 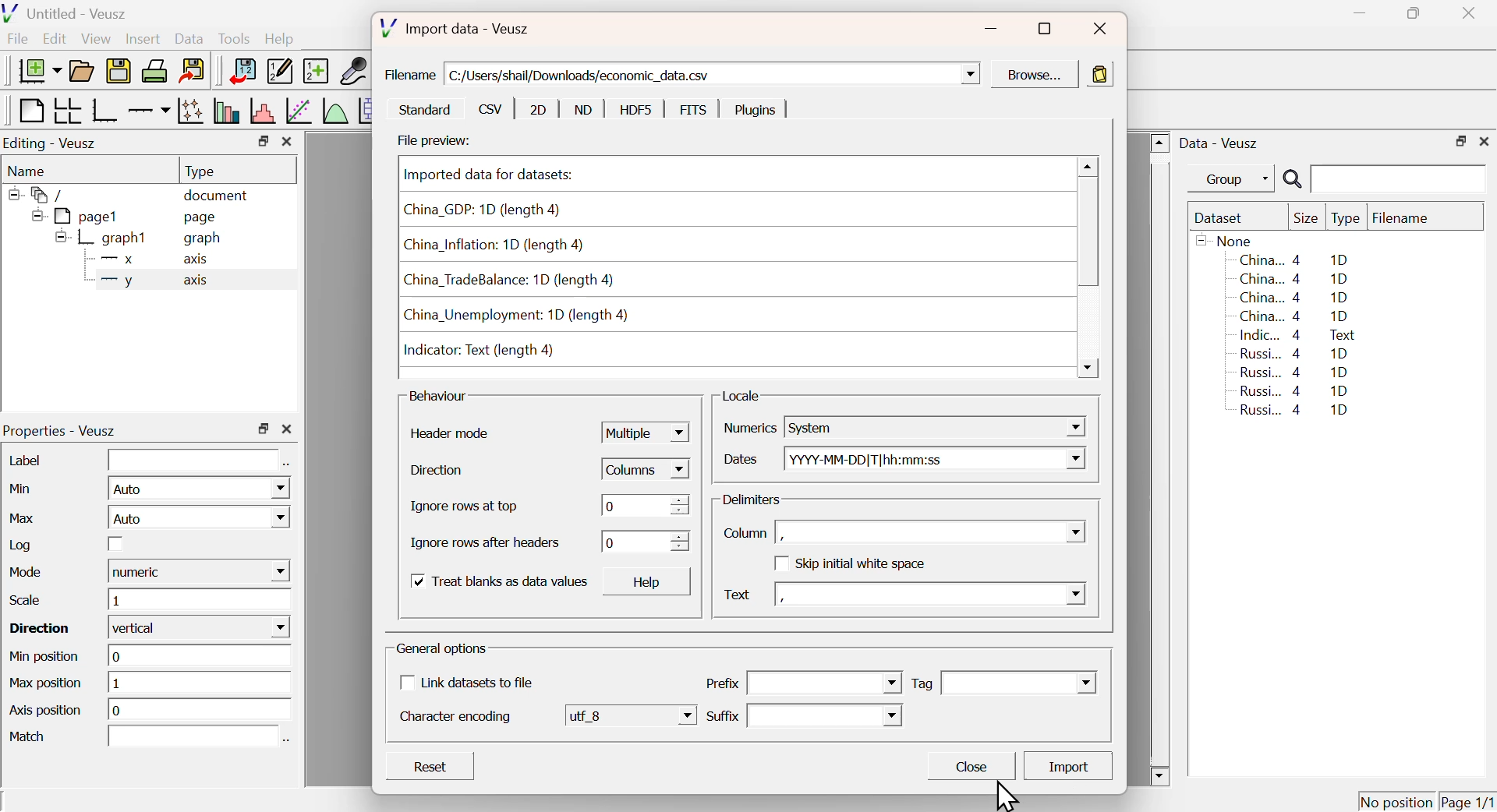 I want to click on X axis, so click(x=147, y=259).